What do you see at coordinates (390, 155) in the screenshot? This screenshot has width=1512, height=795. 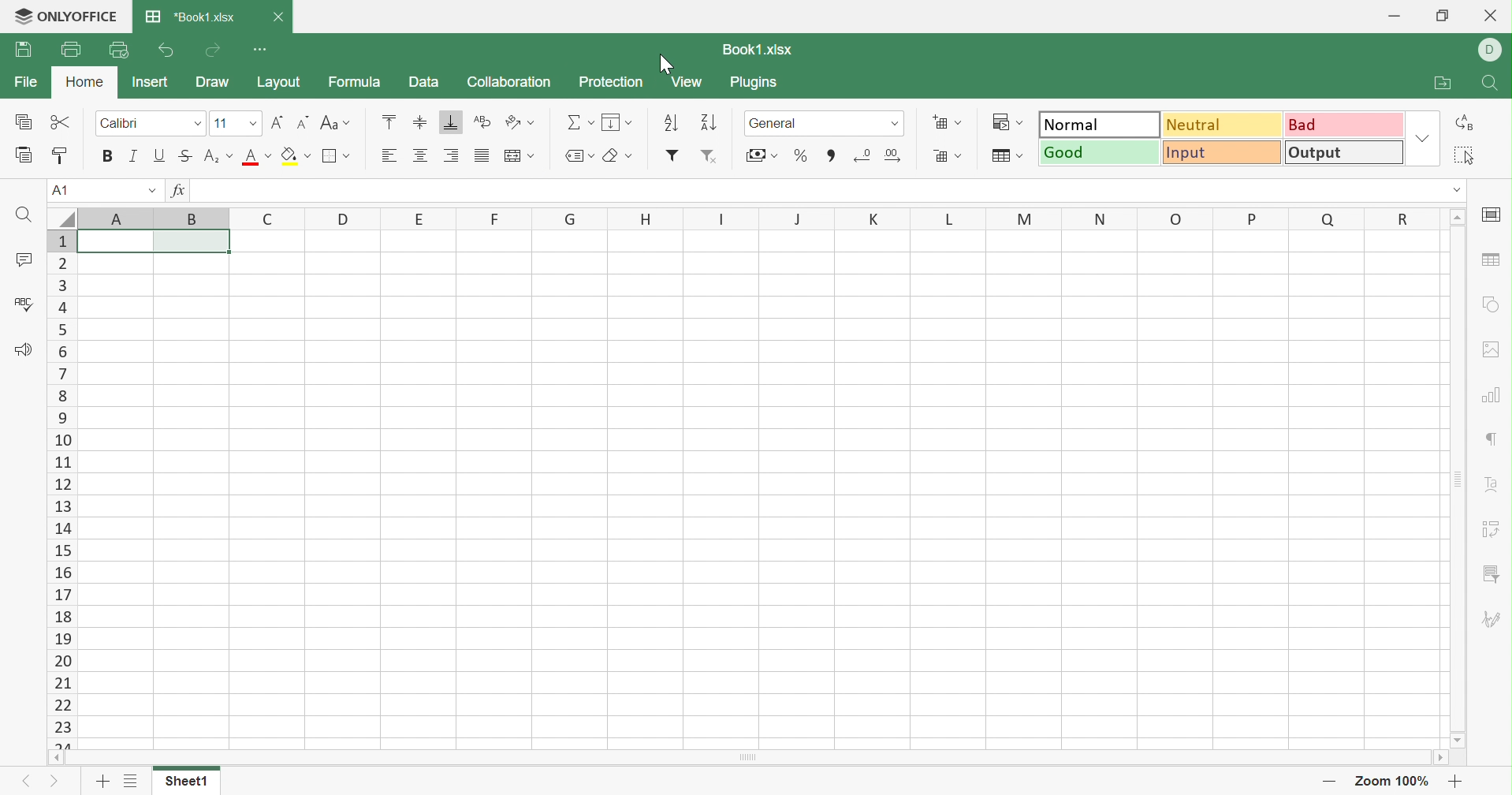 I see `Align Left` at bounding box center [390, 155].